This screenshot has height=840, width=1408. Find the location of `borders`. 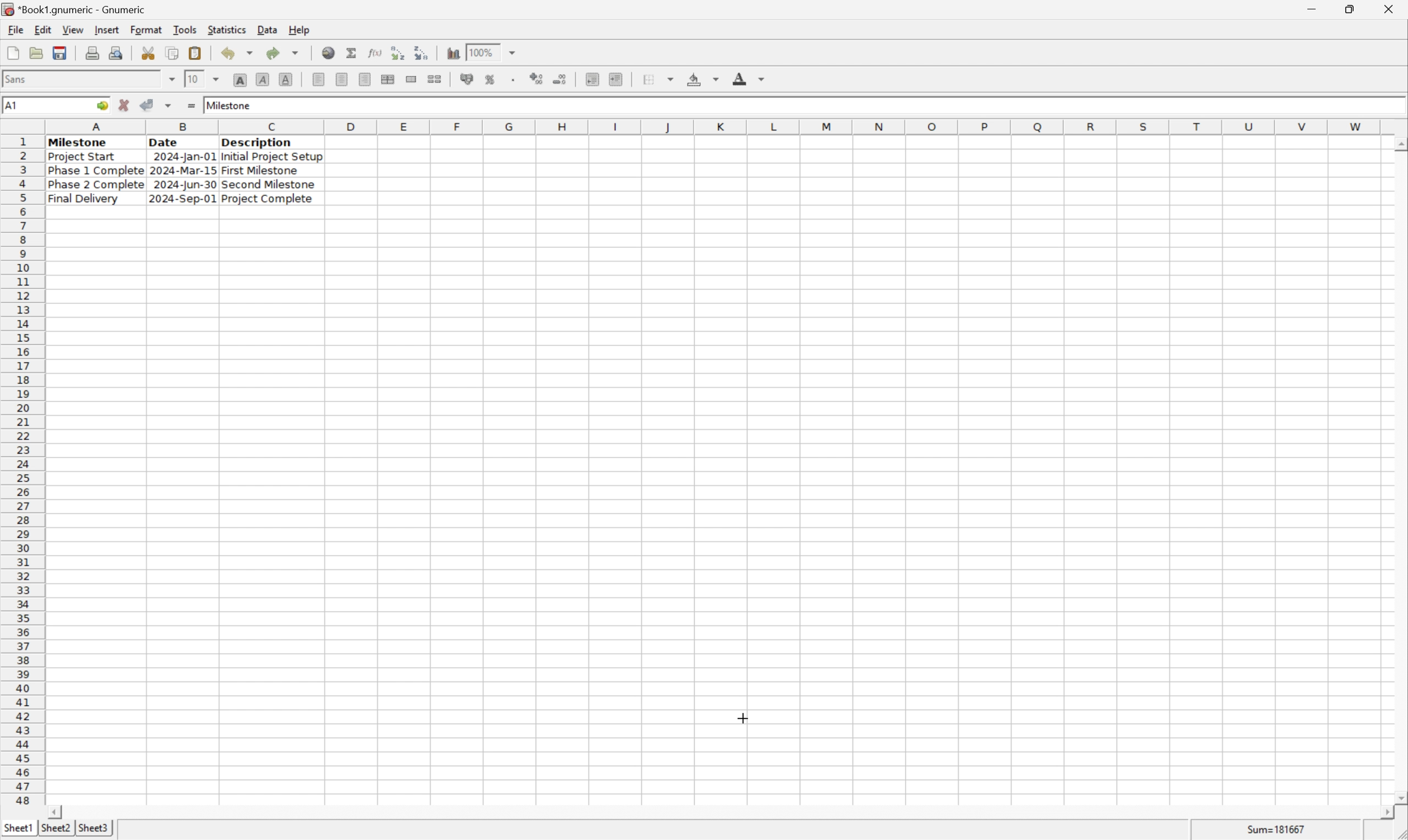

borders is located at coordinates (663, 79).